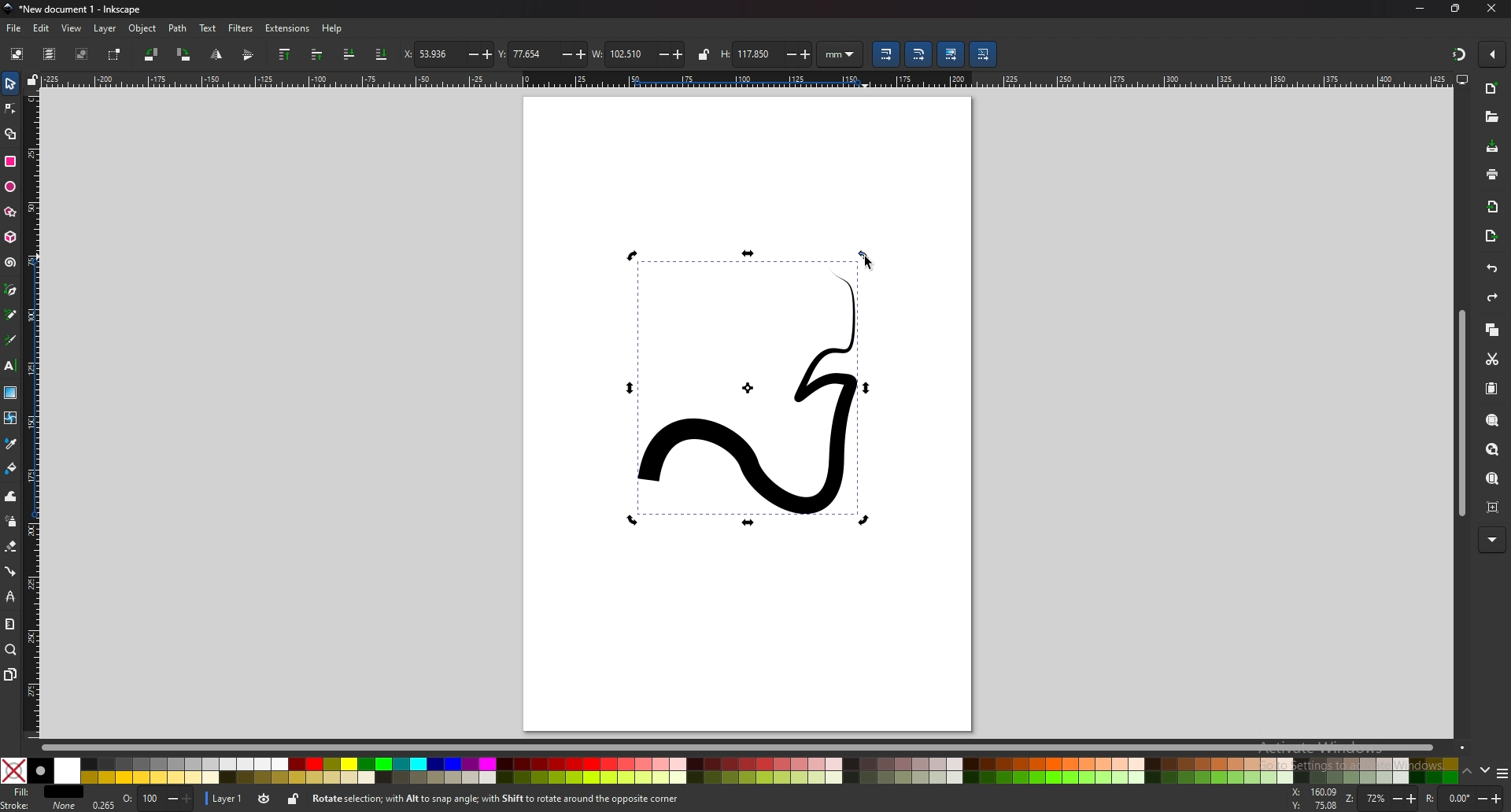 The width and height of the screenshot is (1511, 812). Describe the element at coordinates (1491, 419) in the screenshot. I see `zoom selection` at that location.